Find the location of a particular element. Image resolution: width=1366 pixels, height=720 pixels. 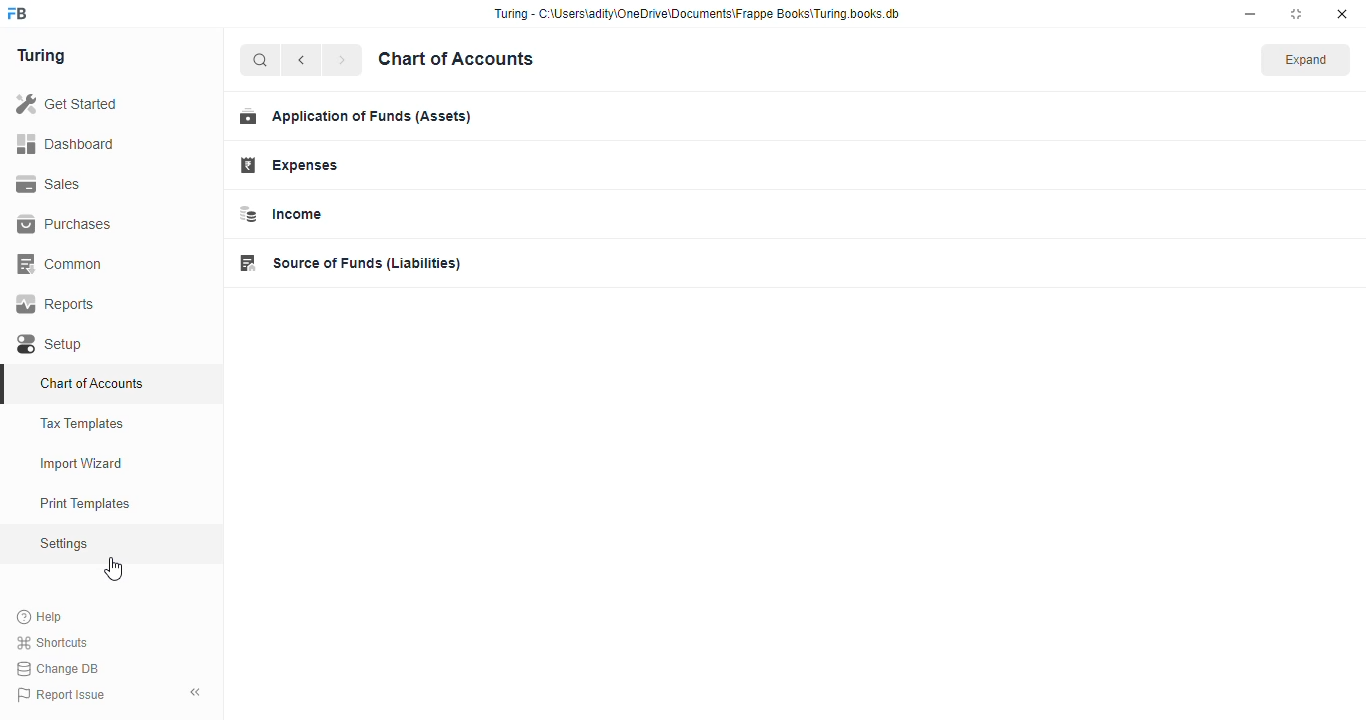

frappe books logo is located at coordinates (25, 15).